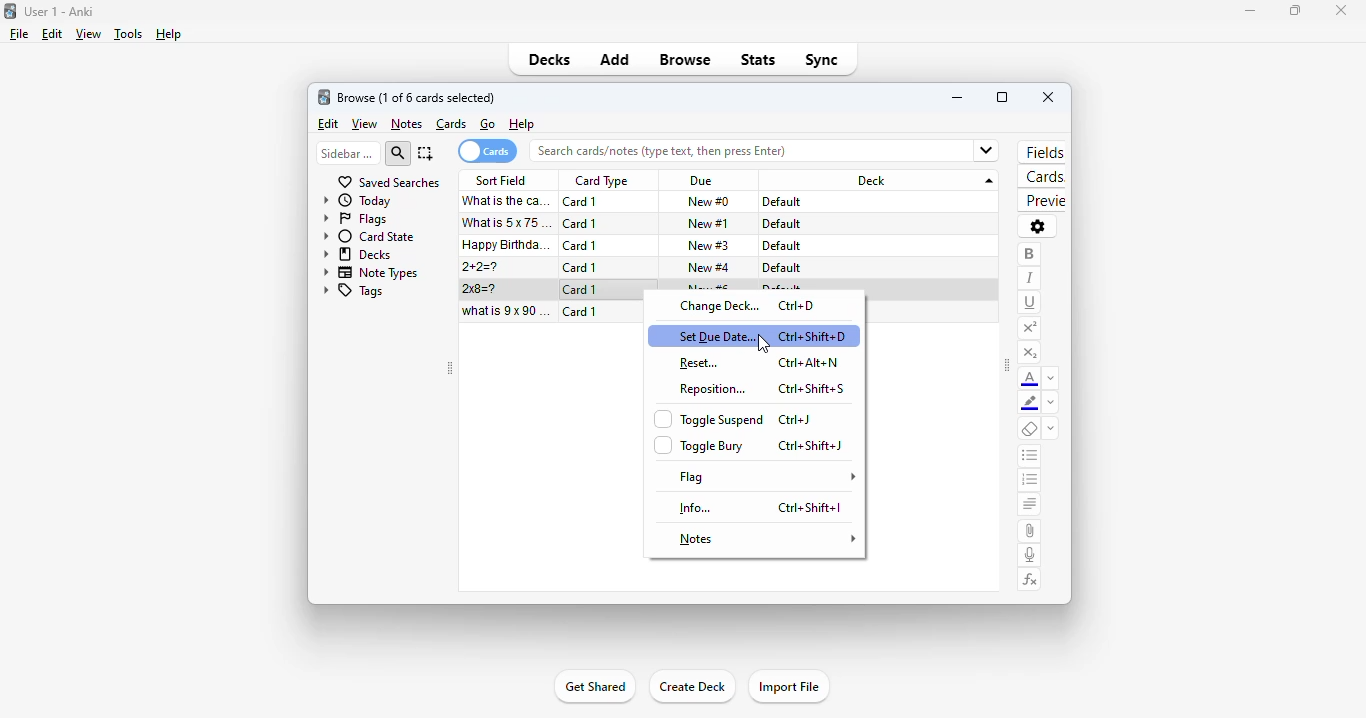 This screenshot has height=718, width=1366. Describe the element at coordinates (1030, 555) in the screenshot. I see `record audio` at that location.